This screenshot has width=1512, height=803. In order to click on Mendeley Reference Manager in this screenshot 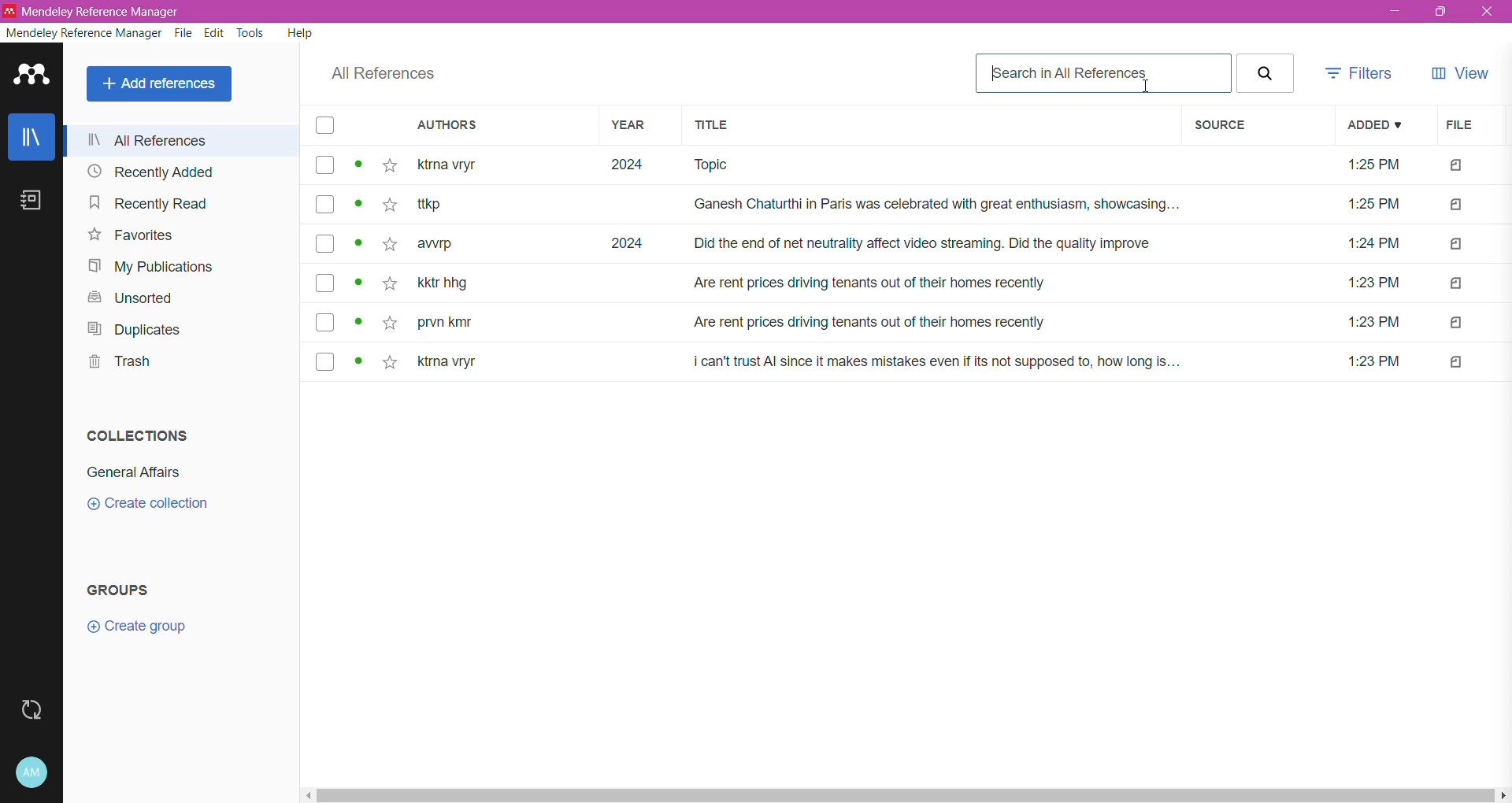, I will do `click(81, 32)`.